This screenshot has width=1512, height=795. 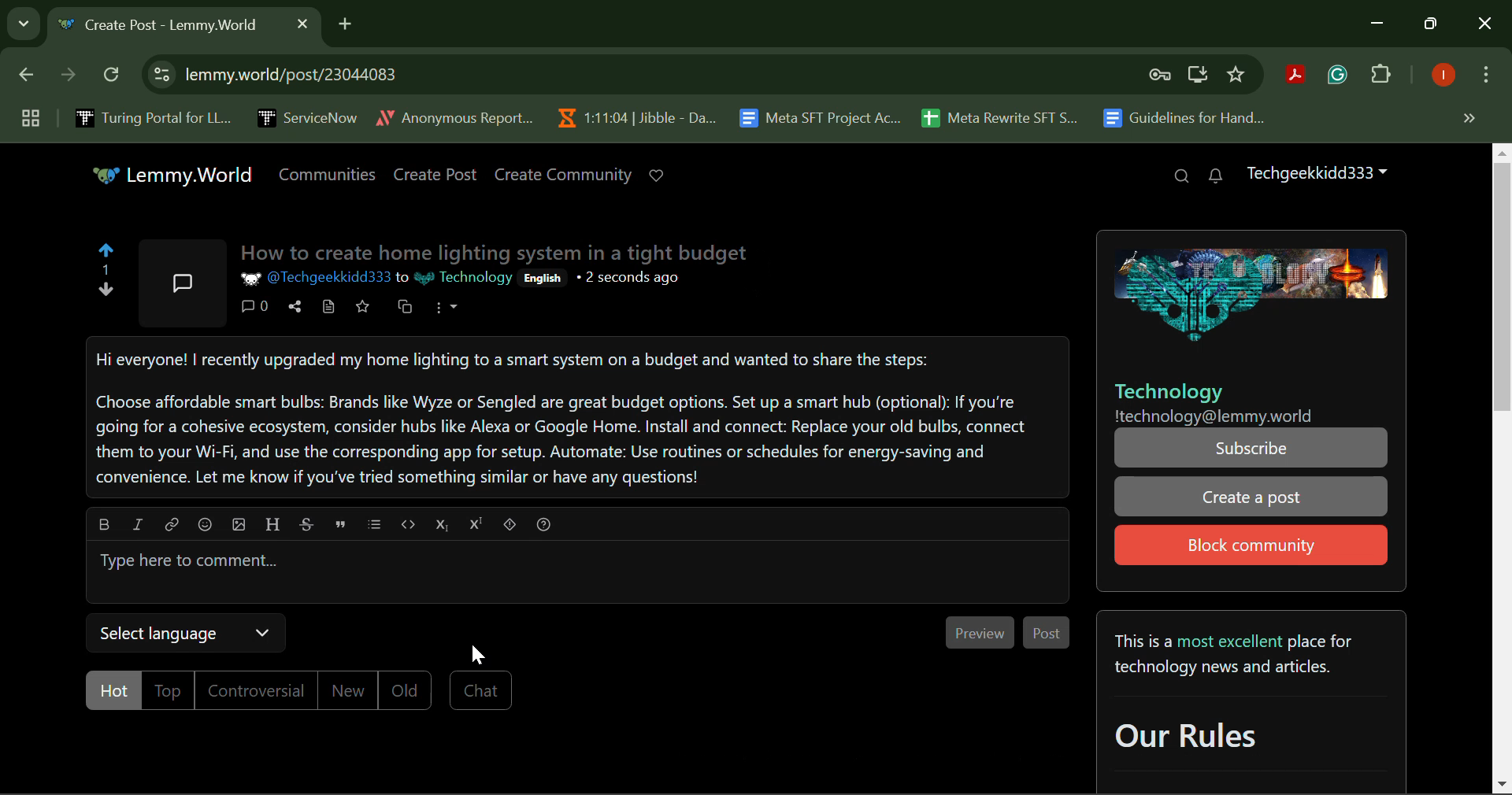 I want to click on strikethrough, so click(x=306, y=525).